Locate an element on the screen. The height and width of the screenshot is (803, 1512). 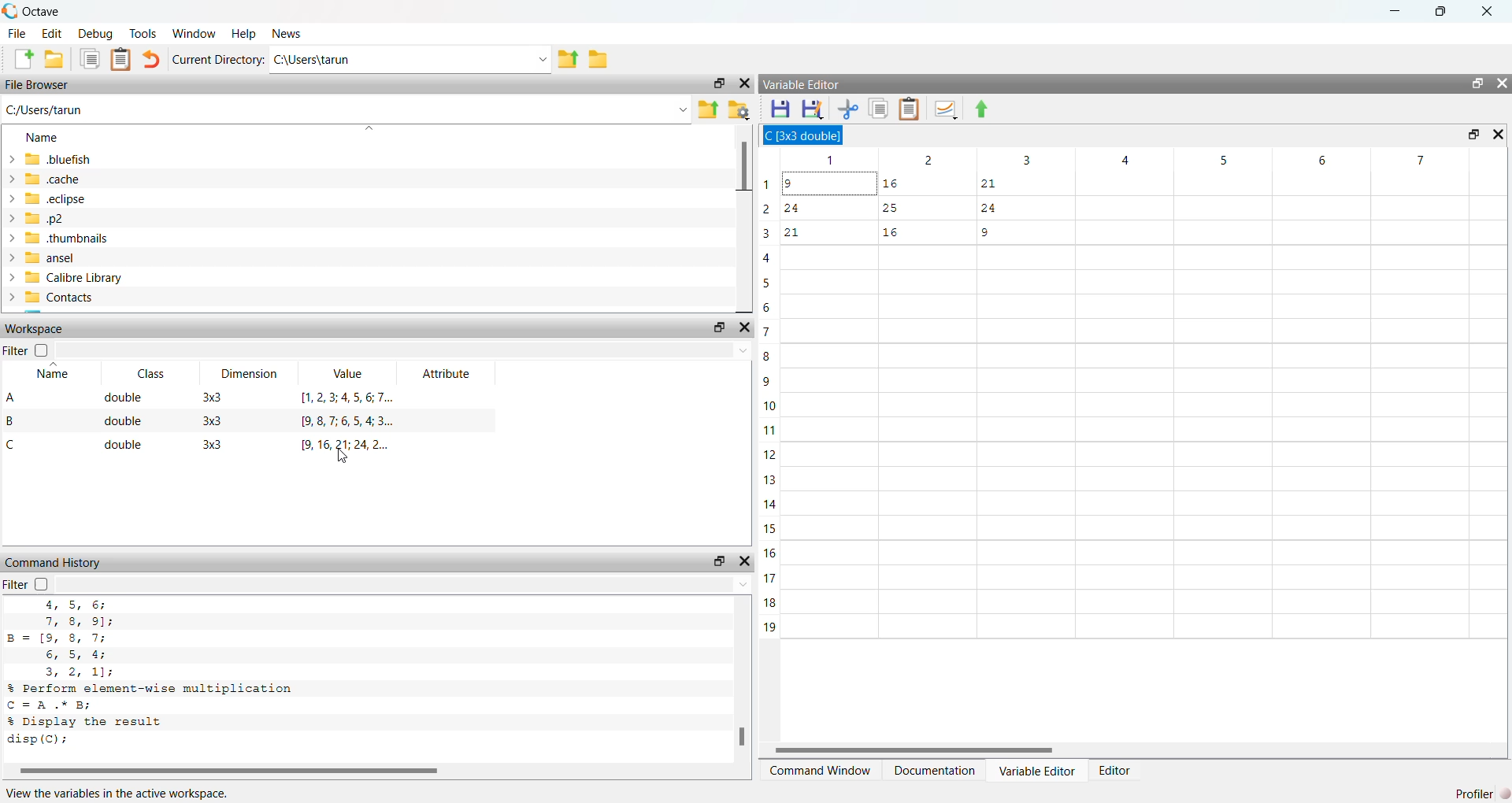
Profiler is located at coordinates (1477, 794).